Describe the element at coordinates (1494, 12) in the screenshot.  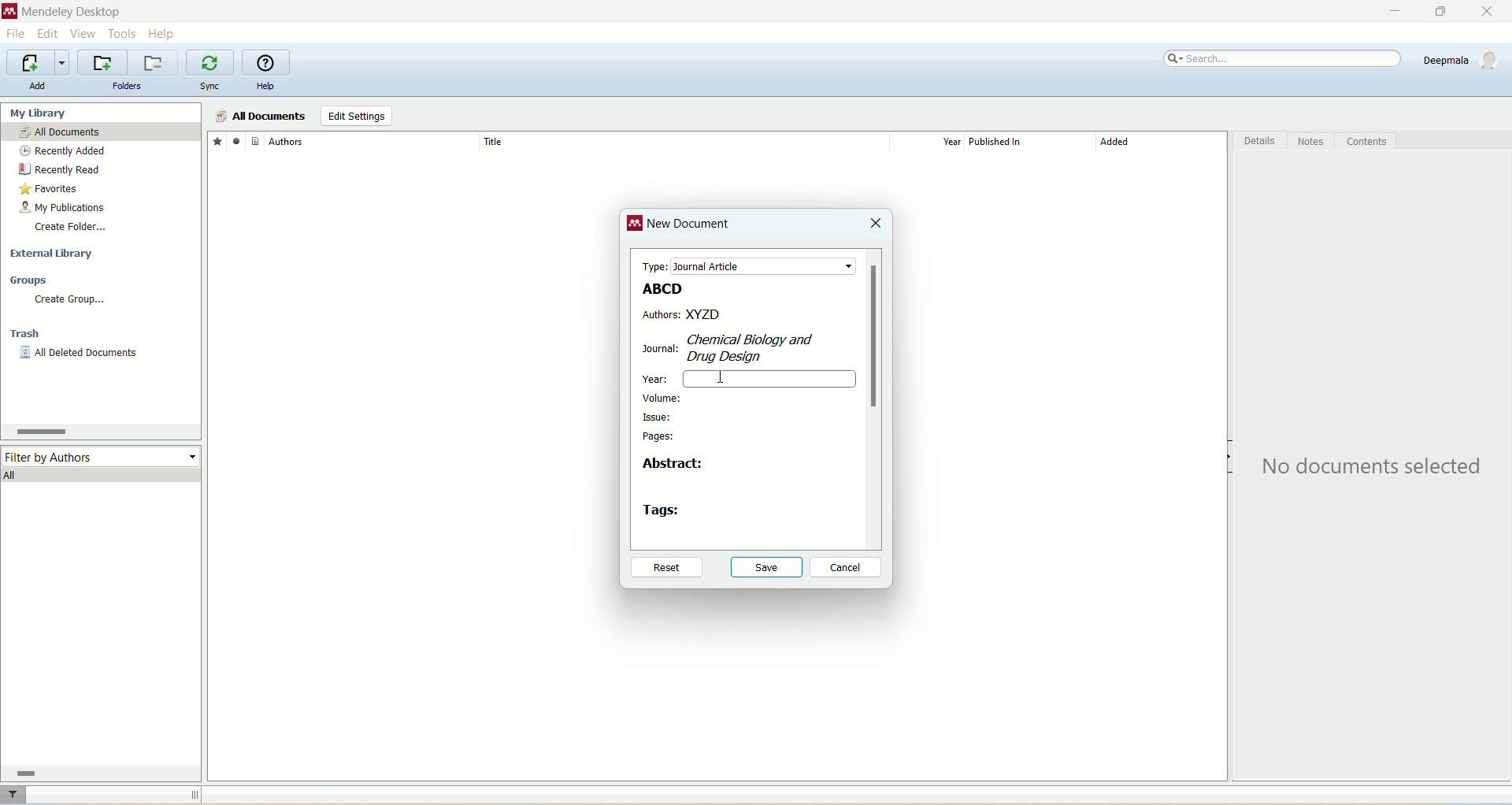
I see `close` at that location.